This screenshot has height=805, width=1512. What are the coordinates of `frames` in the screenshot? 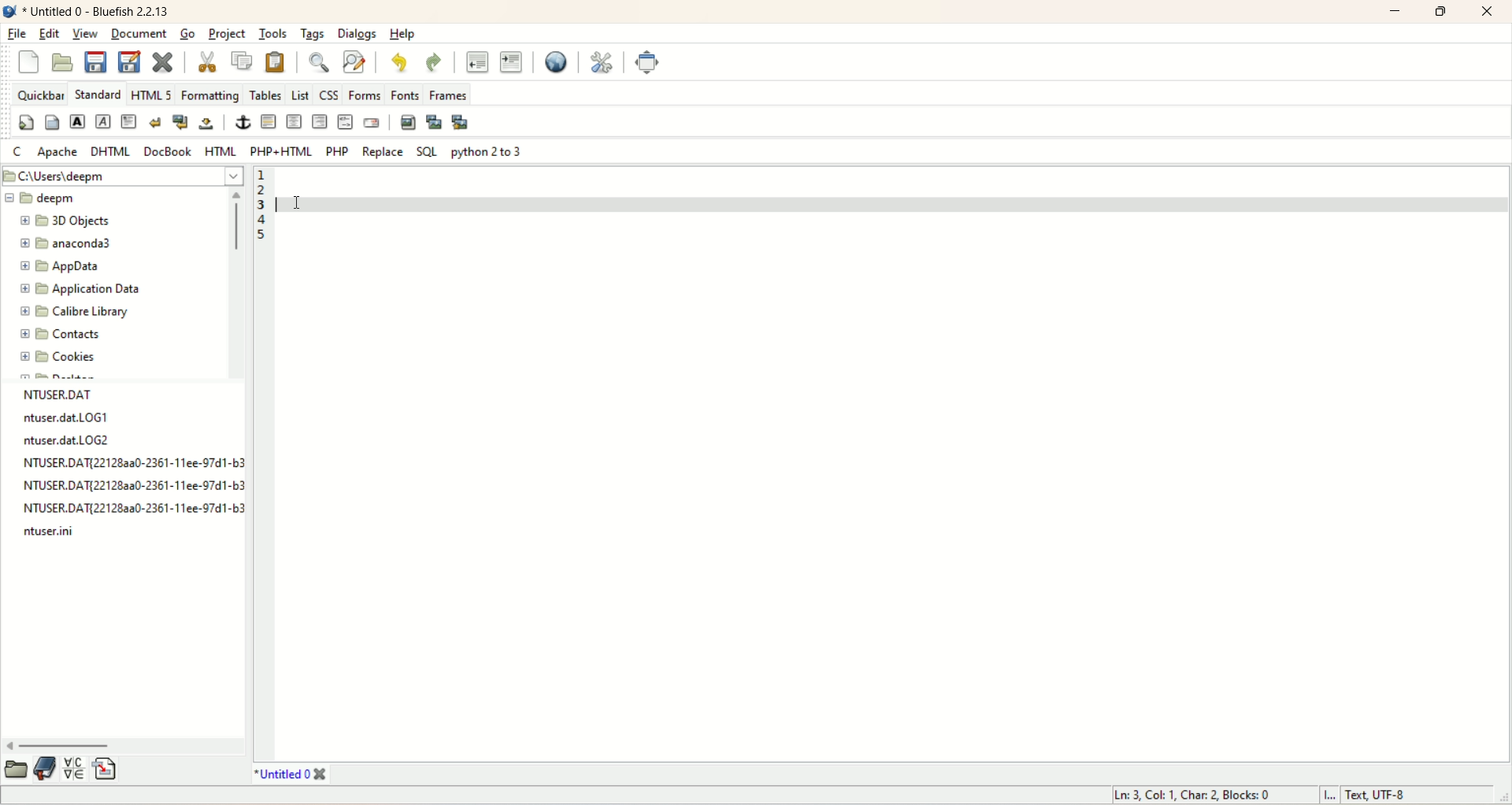 It's located at (447, 93).